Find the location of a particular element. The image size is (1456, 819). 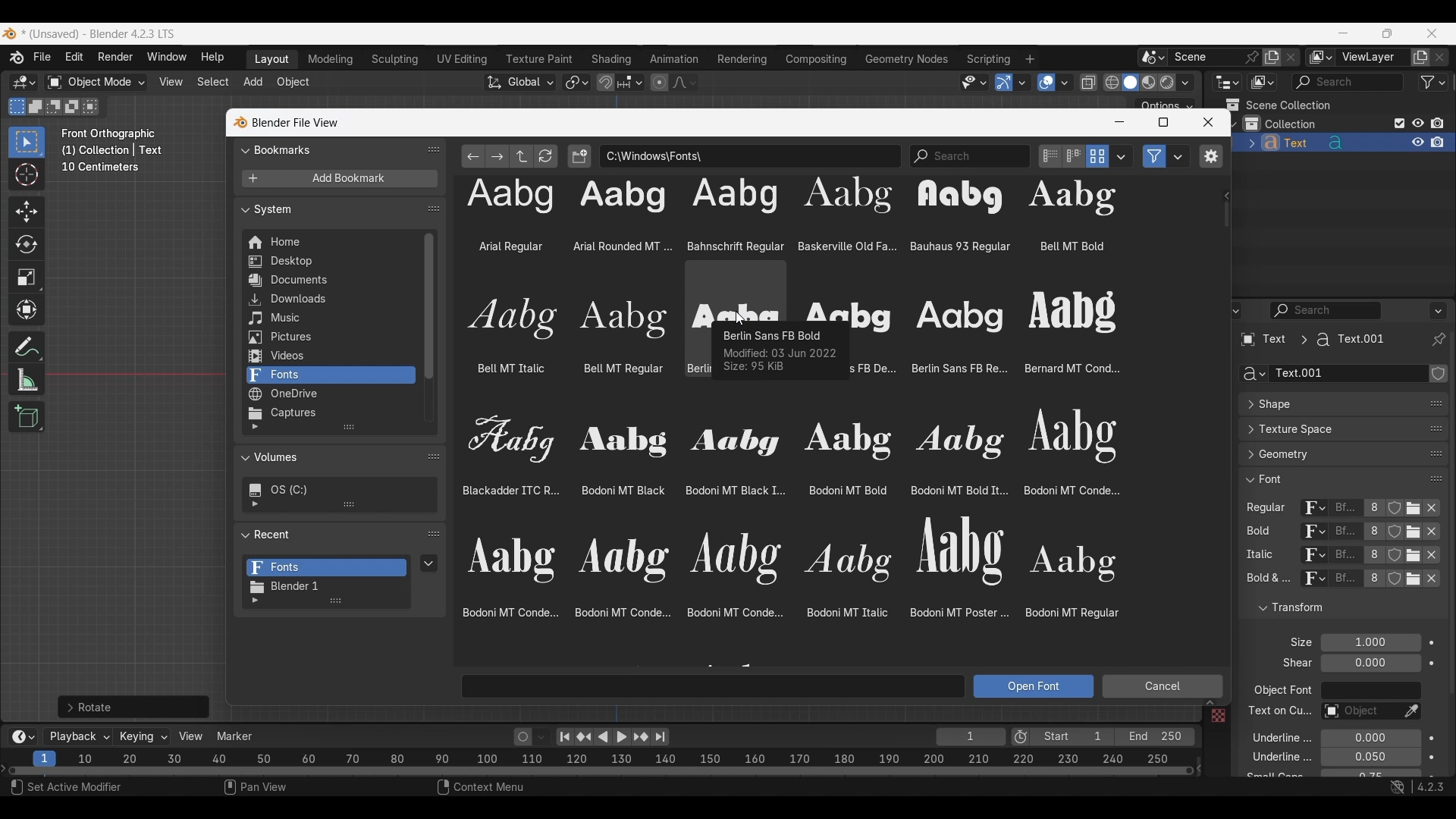

Final frame of the playback rendering range is located at coordinates (1112, 737).